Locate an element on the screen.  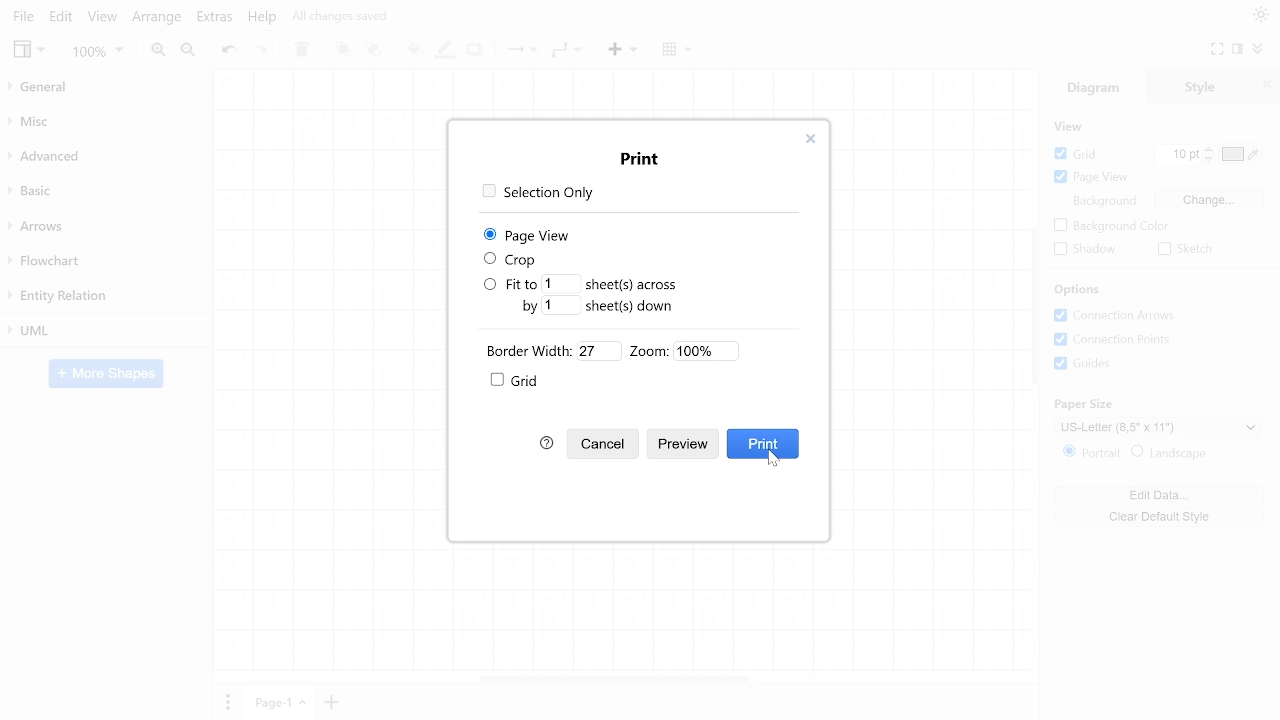
Zoom out is located at coordinates (189, 51).